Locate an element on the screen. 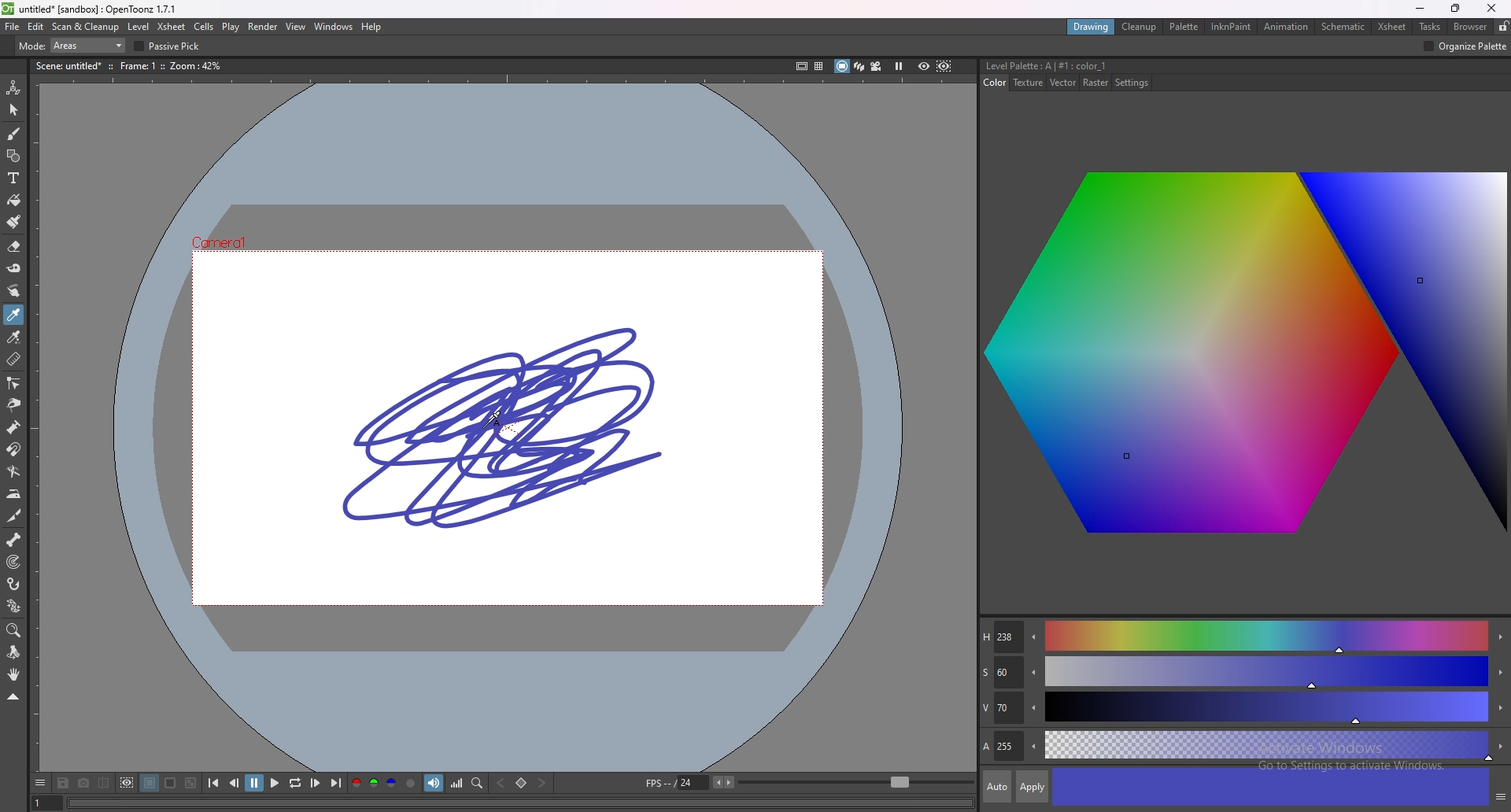 The height and width of the screenshot is (812, 1511). edit is located at coordinates (36, 28).